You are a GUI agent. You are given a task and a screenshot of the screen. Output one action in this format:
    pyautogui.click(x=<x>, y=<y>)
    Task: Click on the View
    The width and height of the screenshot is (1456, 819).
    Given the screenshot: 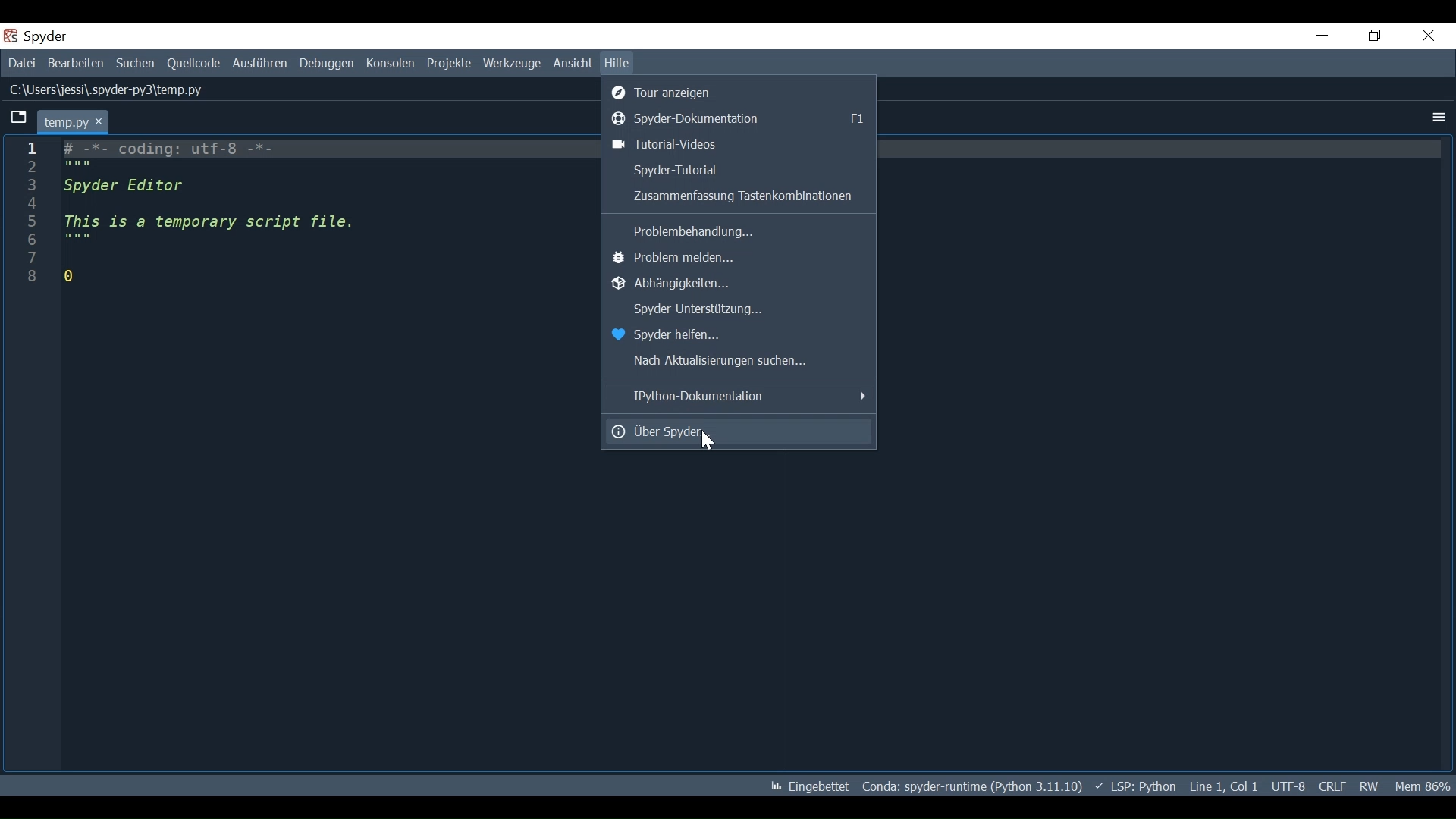 What is the action you would take?
    pyautogui.click(x=572, y=64)
    